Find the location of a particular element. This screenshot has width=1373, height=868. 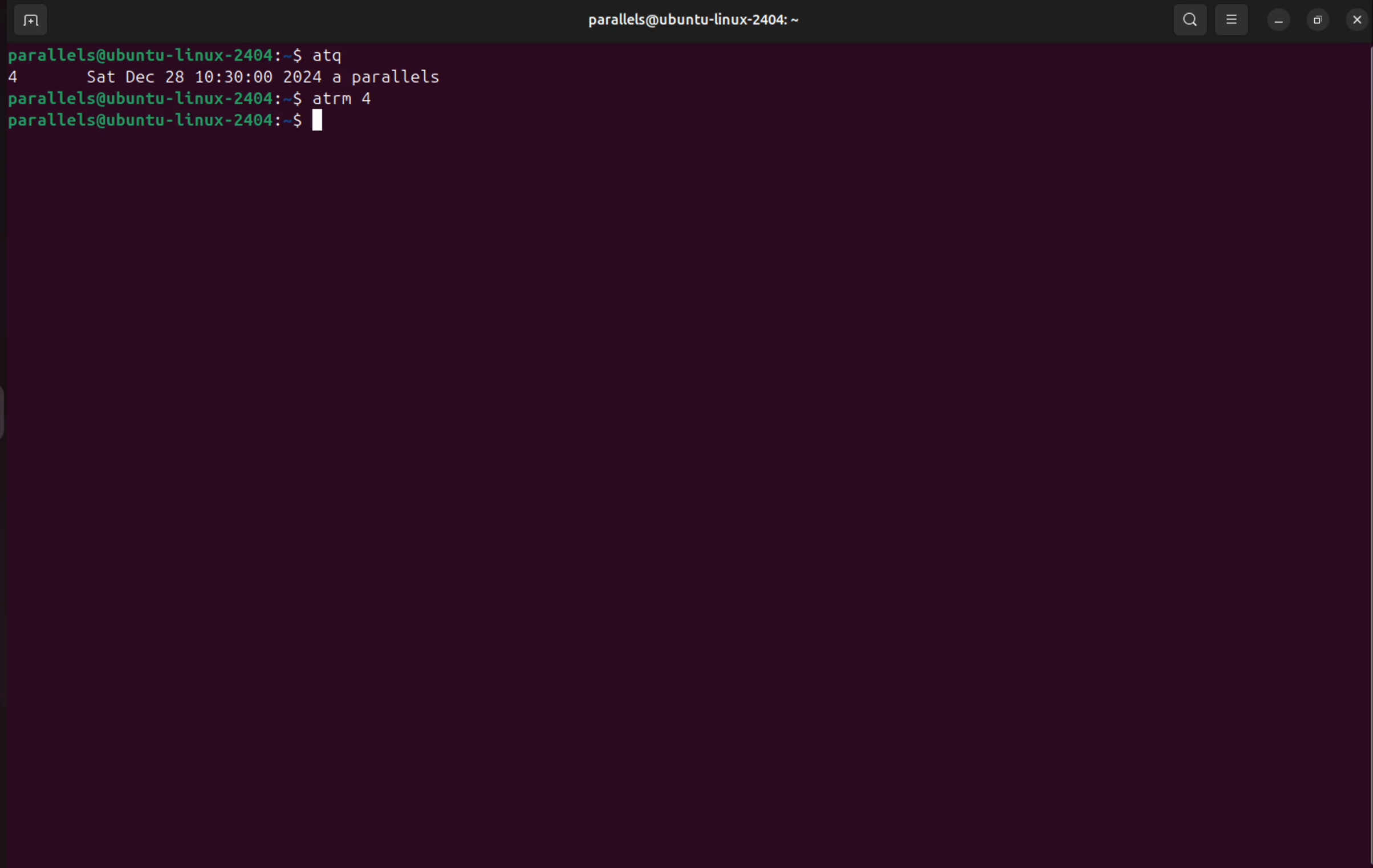

bash prompt  is located at coordinates (156, 98).